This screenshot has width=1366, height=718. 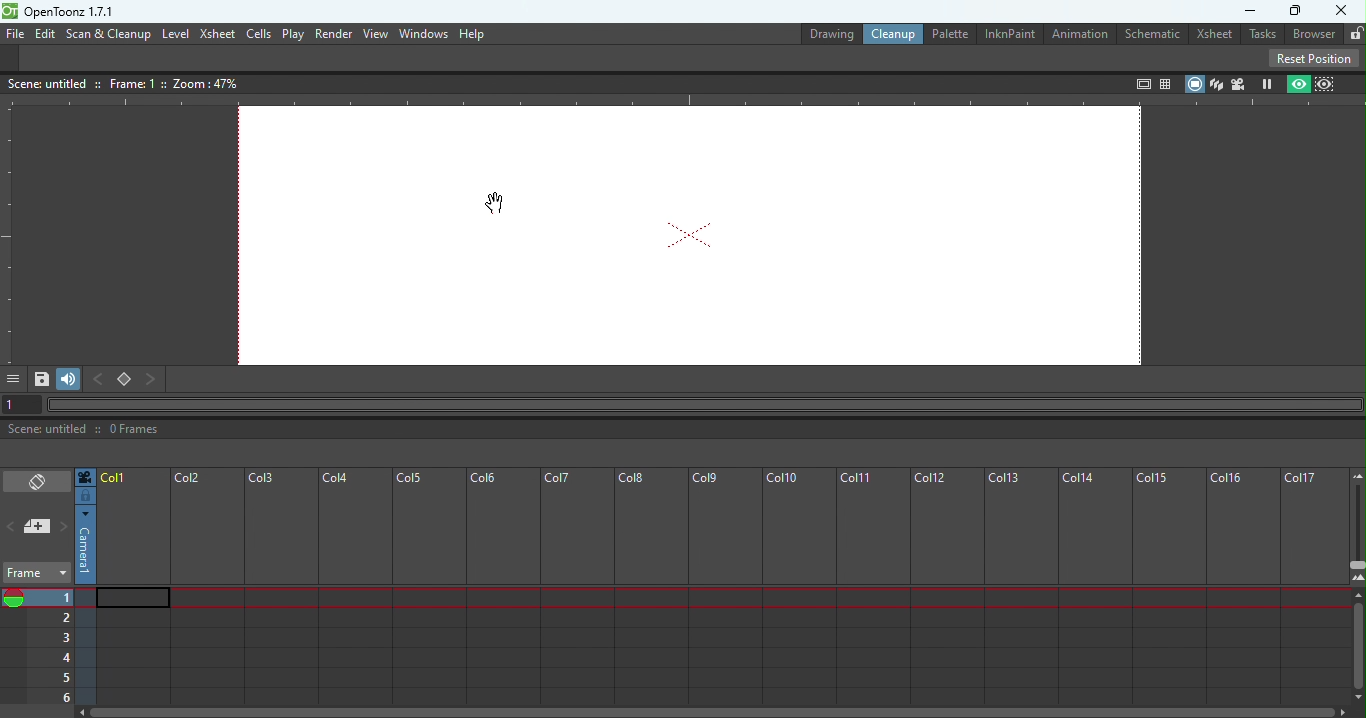 What do you see at coordinates (473, 33) in the screenshot?
I see `Help` at bounding box center [473, 33].